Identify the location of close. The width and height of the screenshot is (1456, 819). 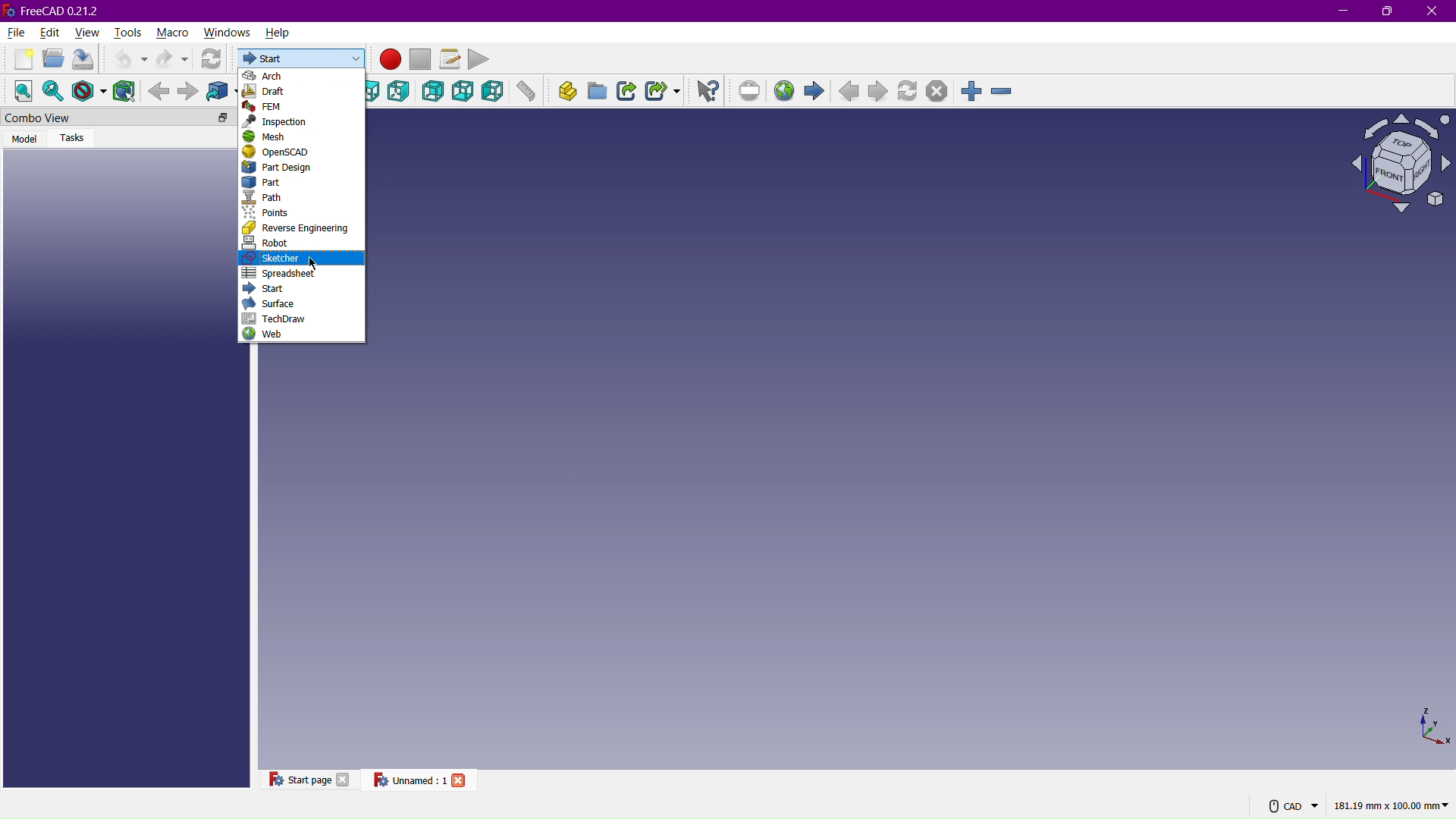
(460, 780).